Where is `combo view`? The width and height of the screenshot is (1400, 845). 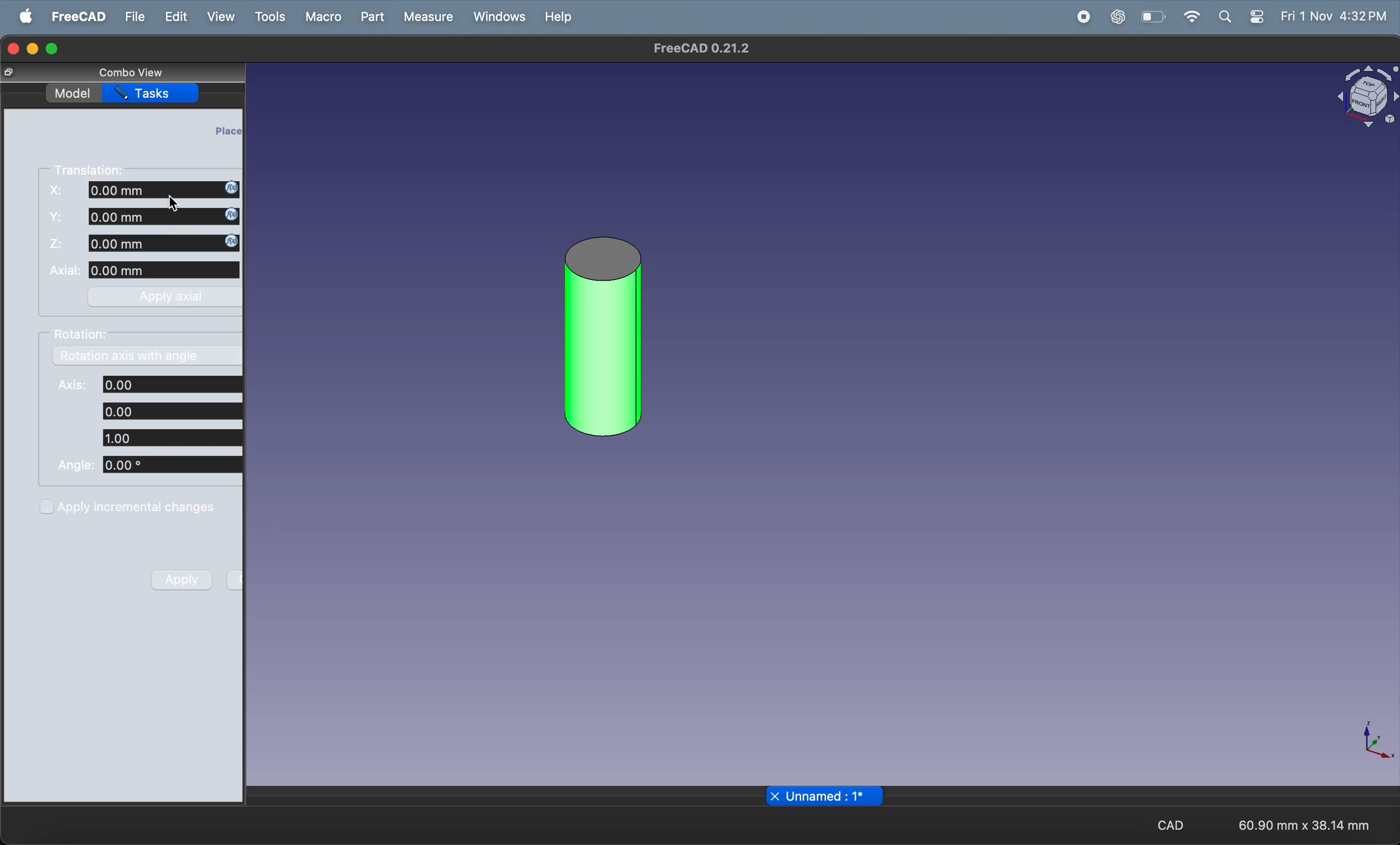 combo view is located at coordinates (132, 74).